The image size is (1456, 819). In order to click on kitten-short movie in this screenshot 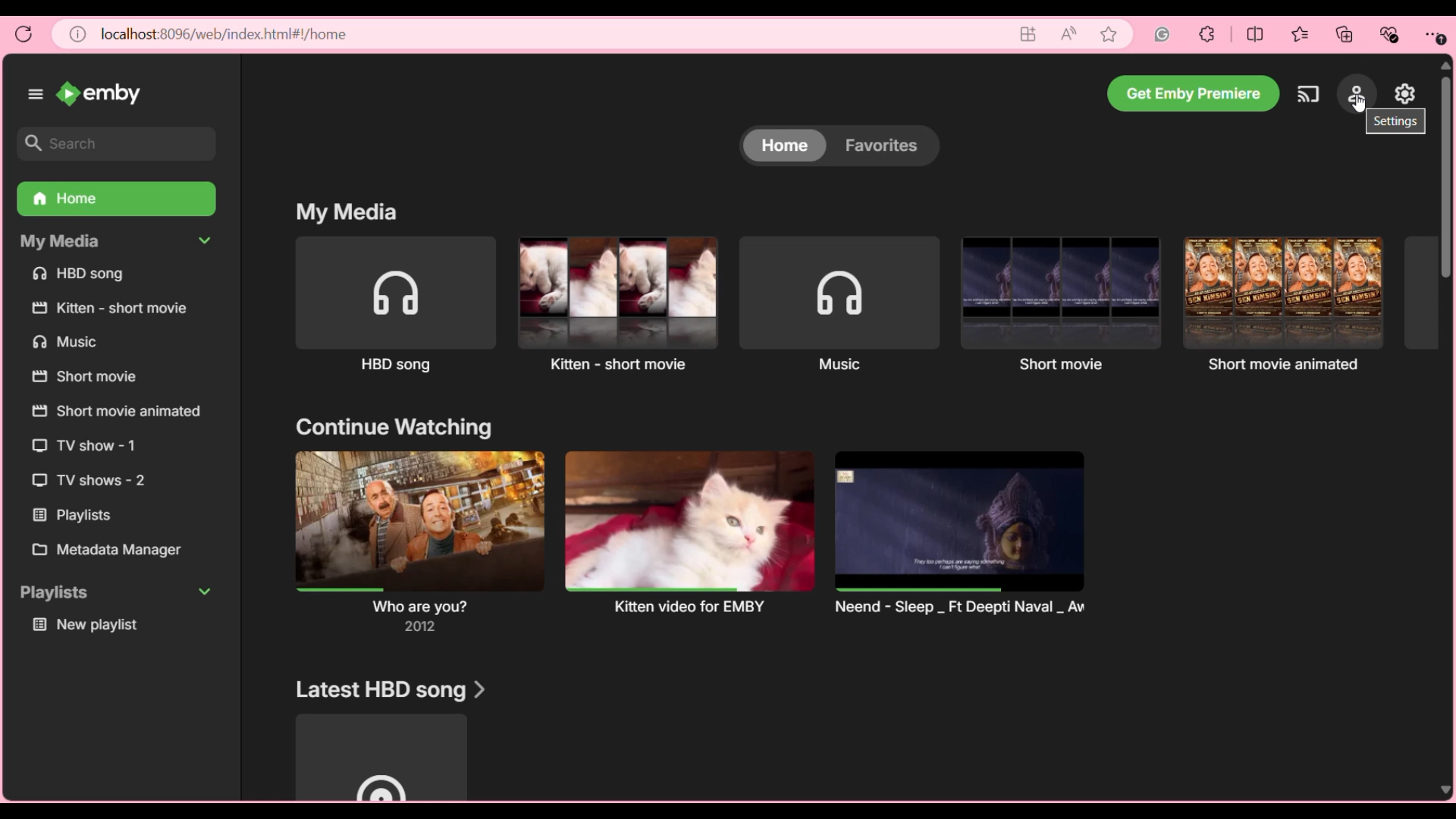, I will do `click(610, 303)`.